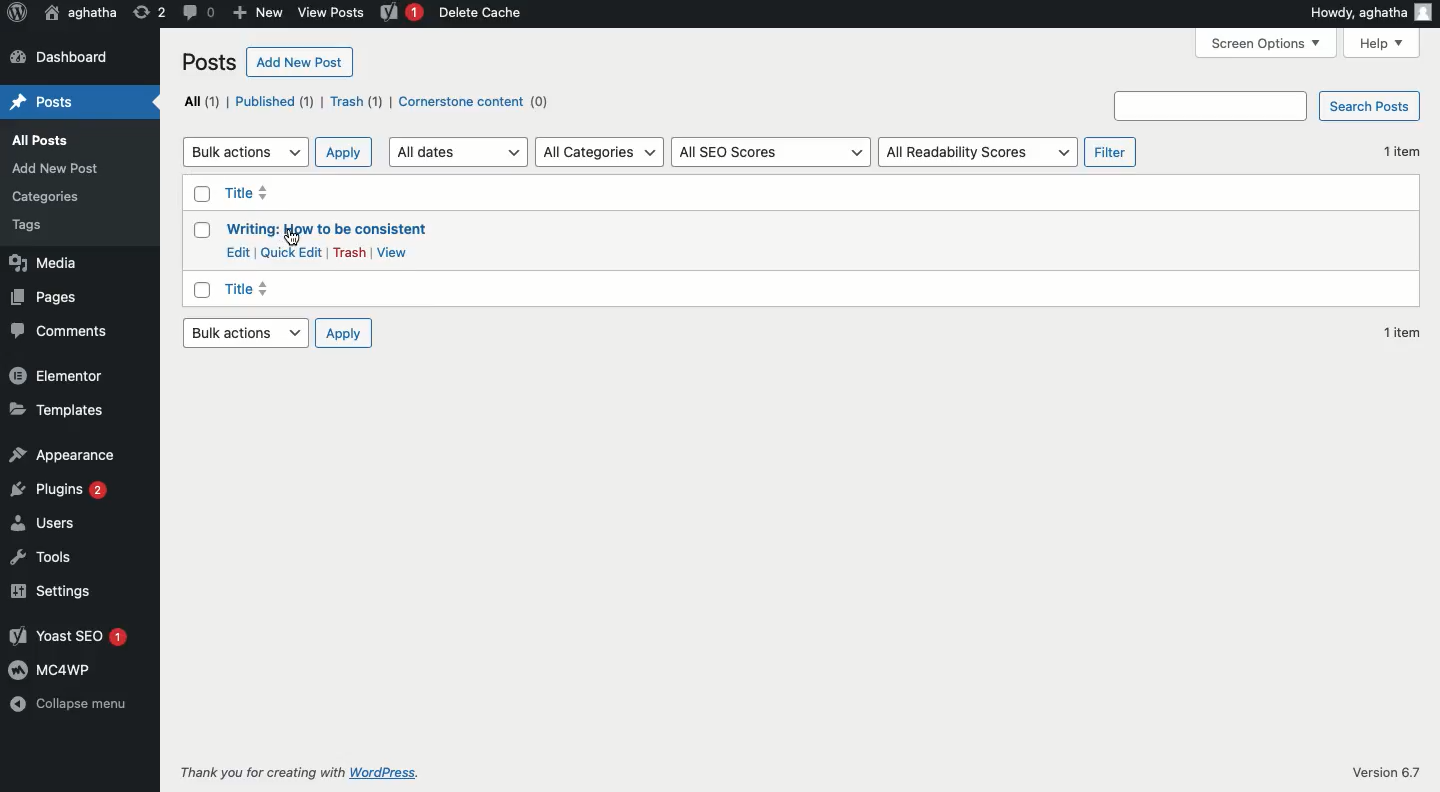 This screenshot has width=1440, height=792. Describe the element at coordinates (256, 13) in the screenshot. I see `New` at that location.